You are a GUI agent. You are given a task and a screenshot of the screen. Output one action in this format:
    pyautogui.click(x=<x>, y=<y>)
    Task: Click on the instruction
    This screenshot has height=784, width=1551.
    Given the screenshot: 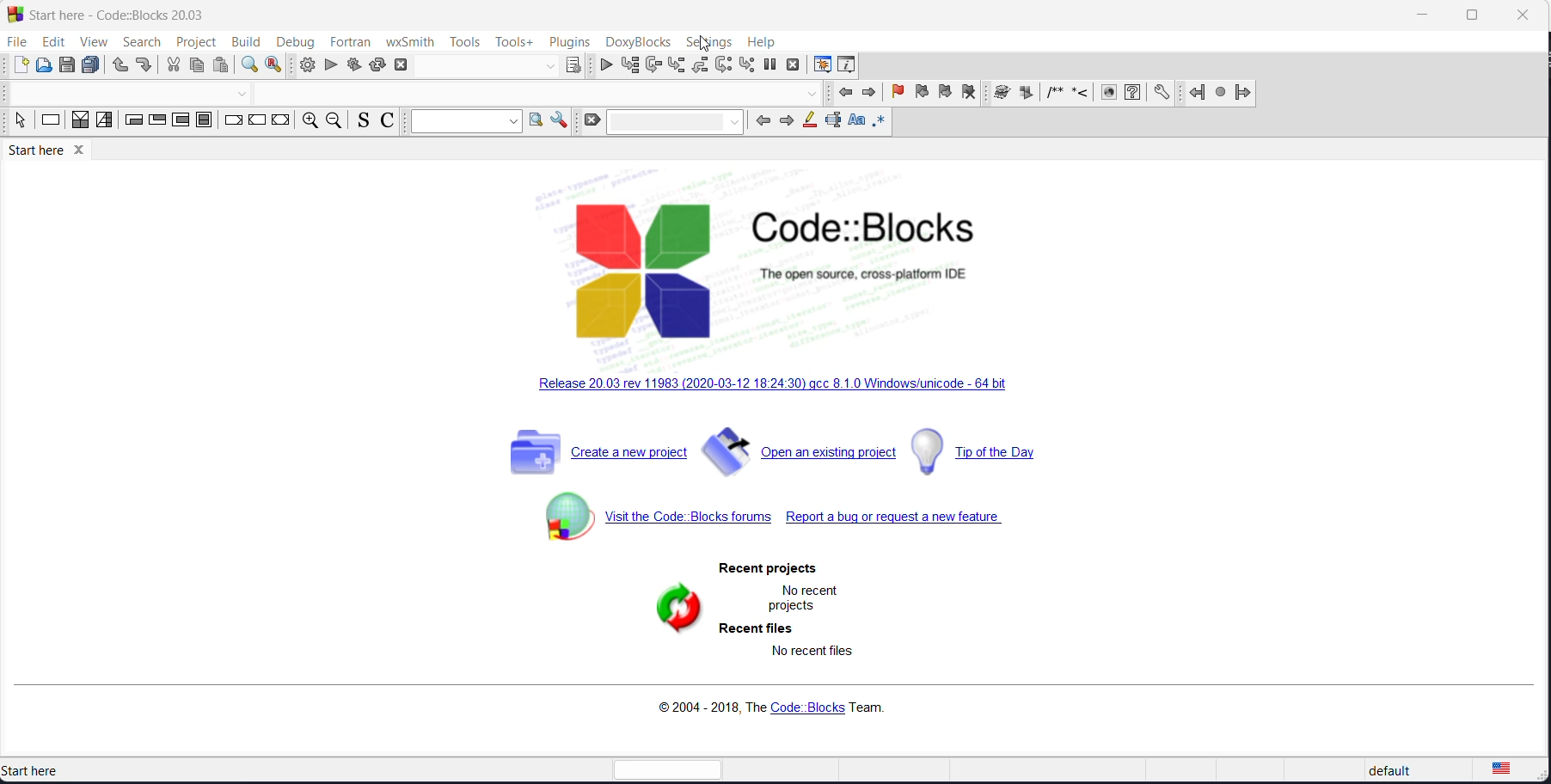 What is the action you would take?
    pyautogui.click(x=51, y=123)
    